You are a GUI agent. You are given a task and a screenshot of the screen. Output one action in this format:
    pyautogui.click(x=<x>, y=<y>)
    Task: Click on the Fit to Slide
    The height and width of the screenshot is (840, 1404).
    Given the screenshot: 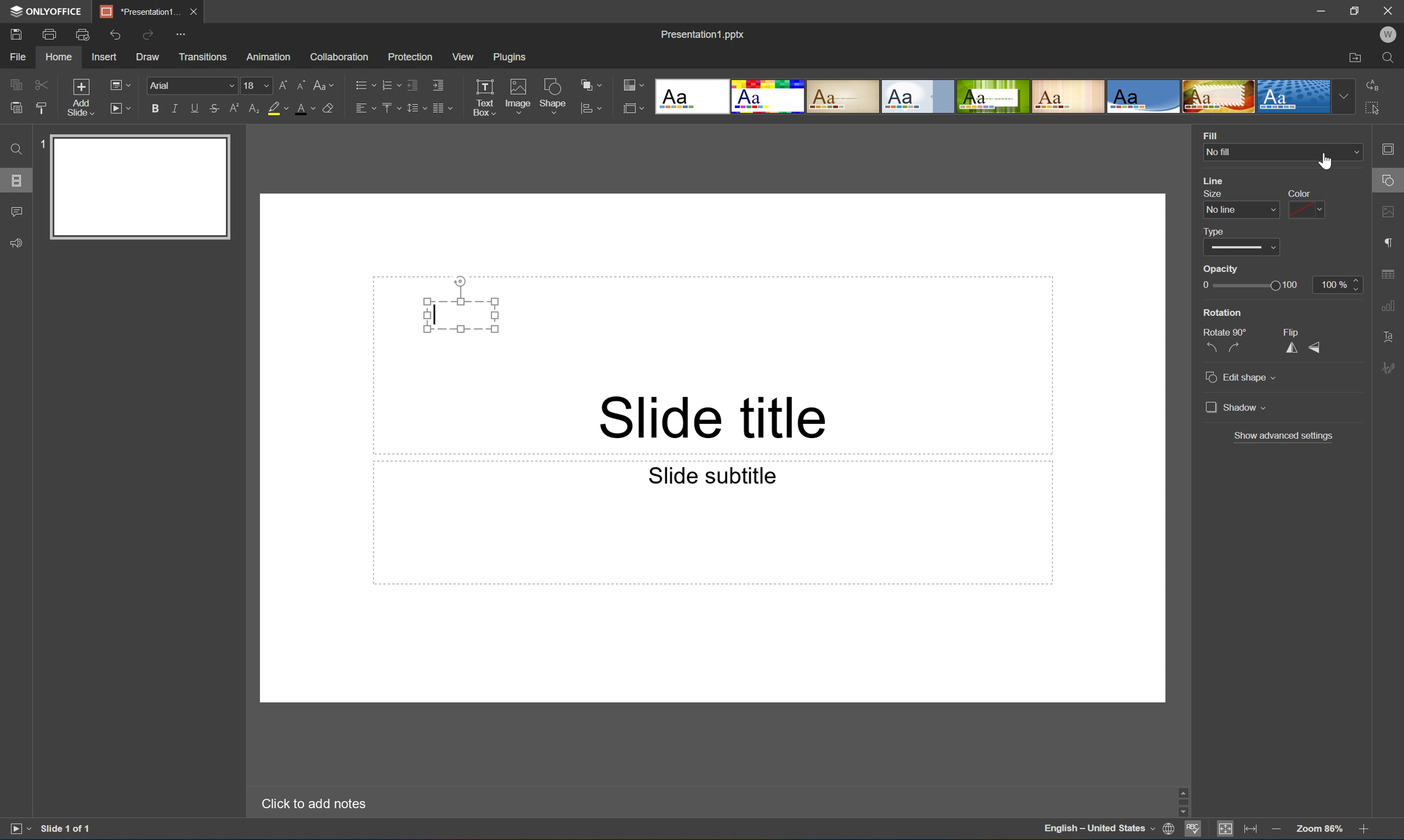 What is the action you would take?
    pyautogui.click(x=1228, y=829)
    